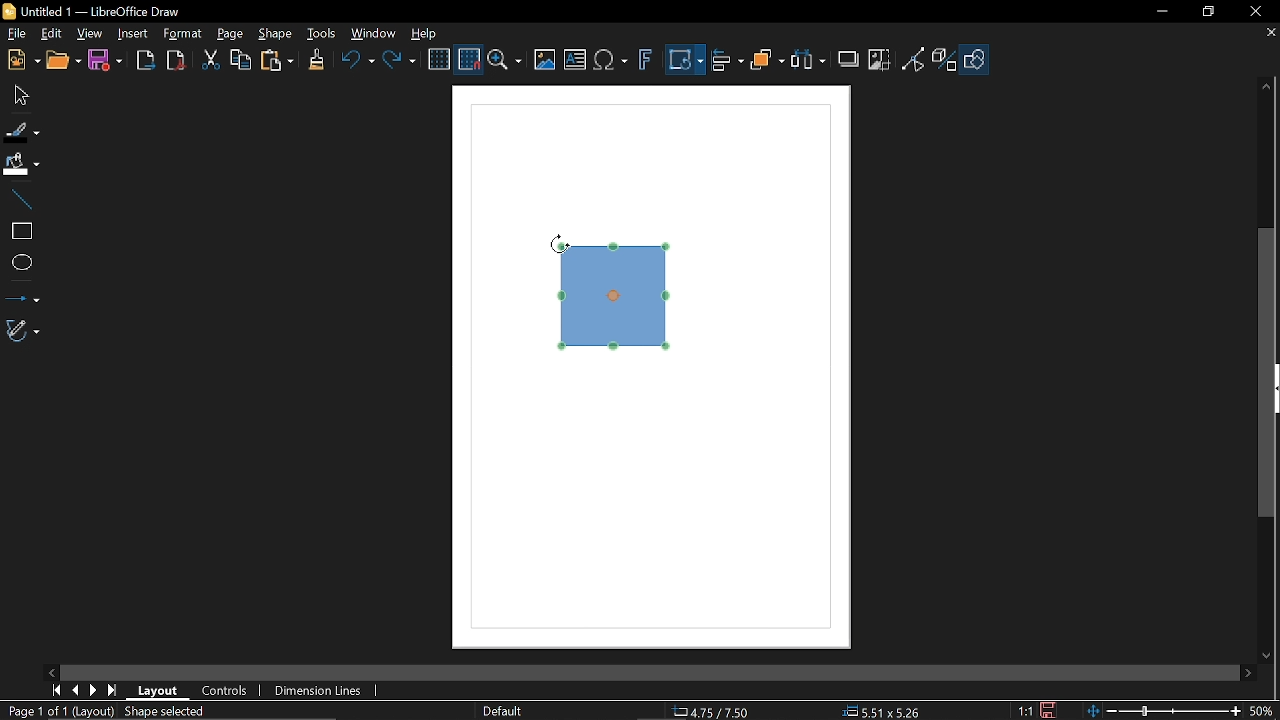 This screenshot has height=720, width=1280. I want to click on Save, so click(1046, 710).